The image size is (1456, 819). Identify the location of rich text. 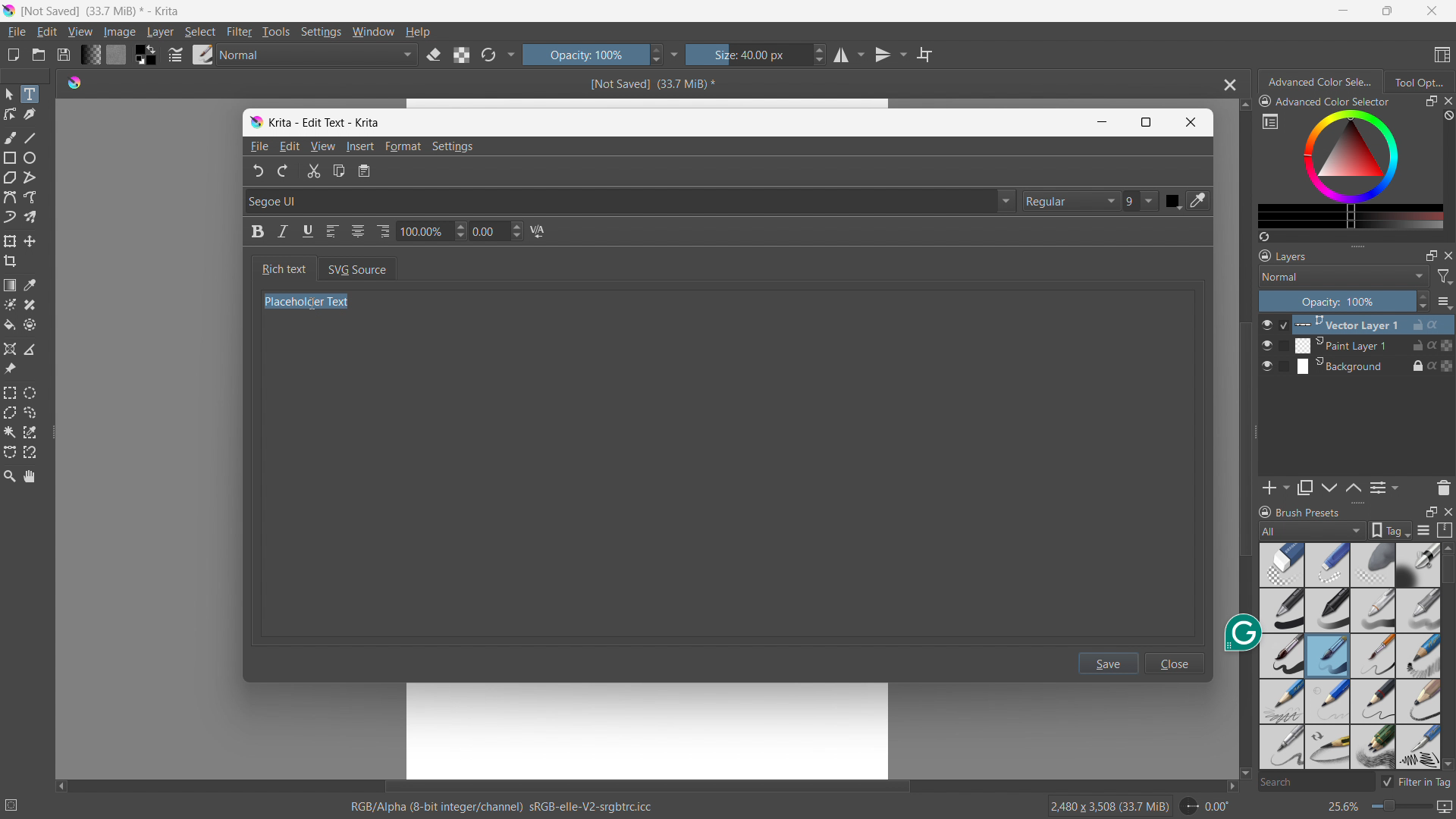
(284, 268).